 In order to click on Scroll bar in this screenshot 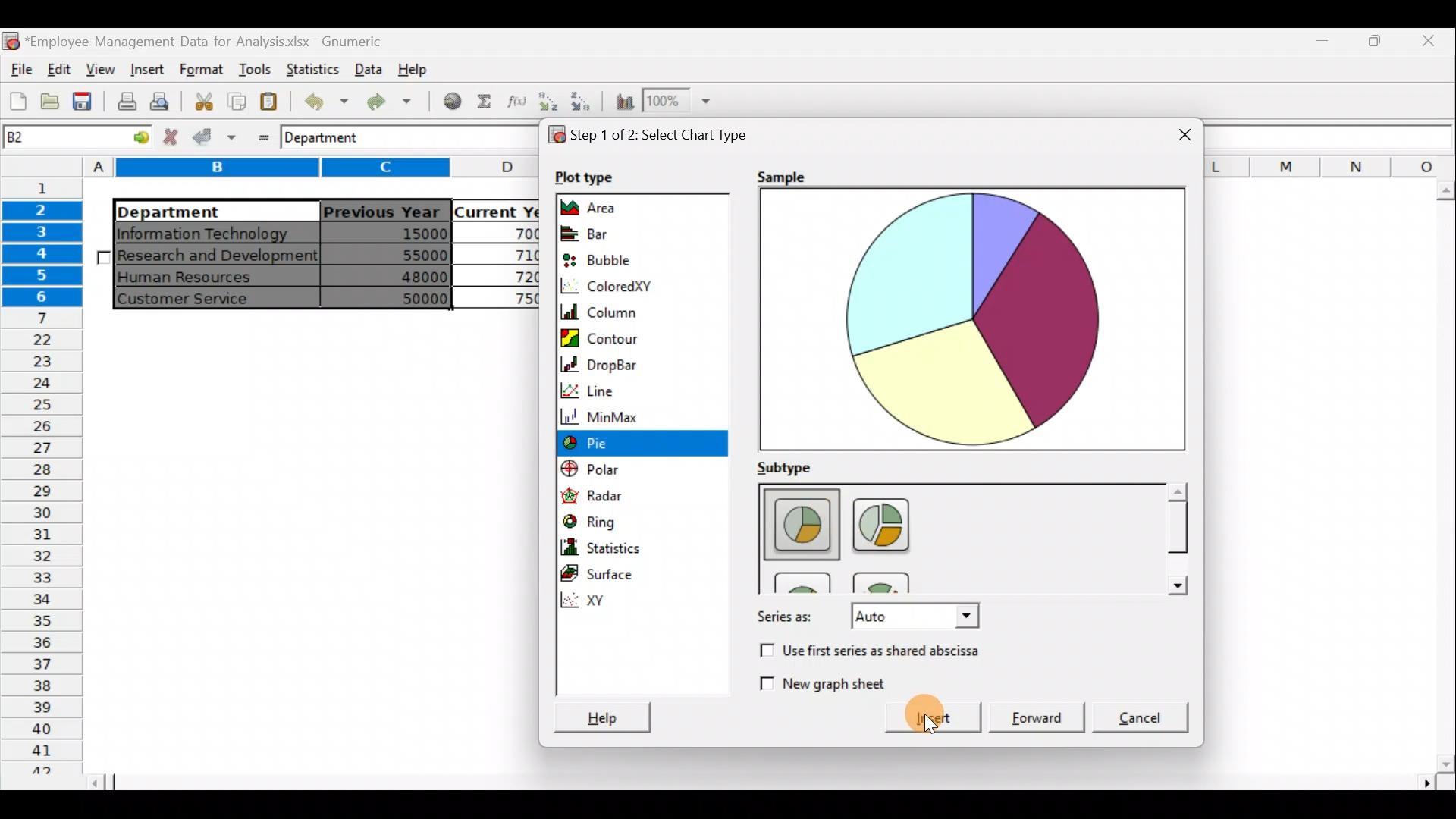, I will do `click(773, 783)`.